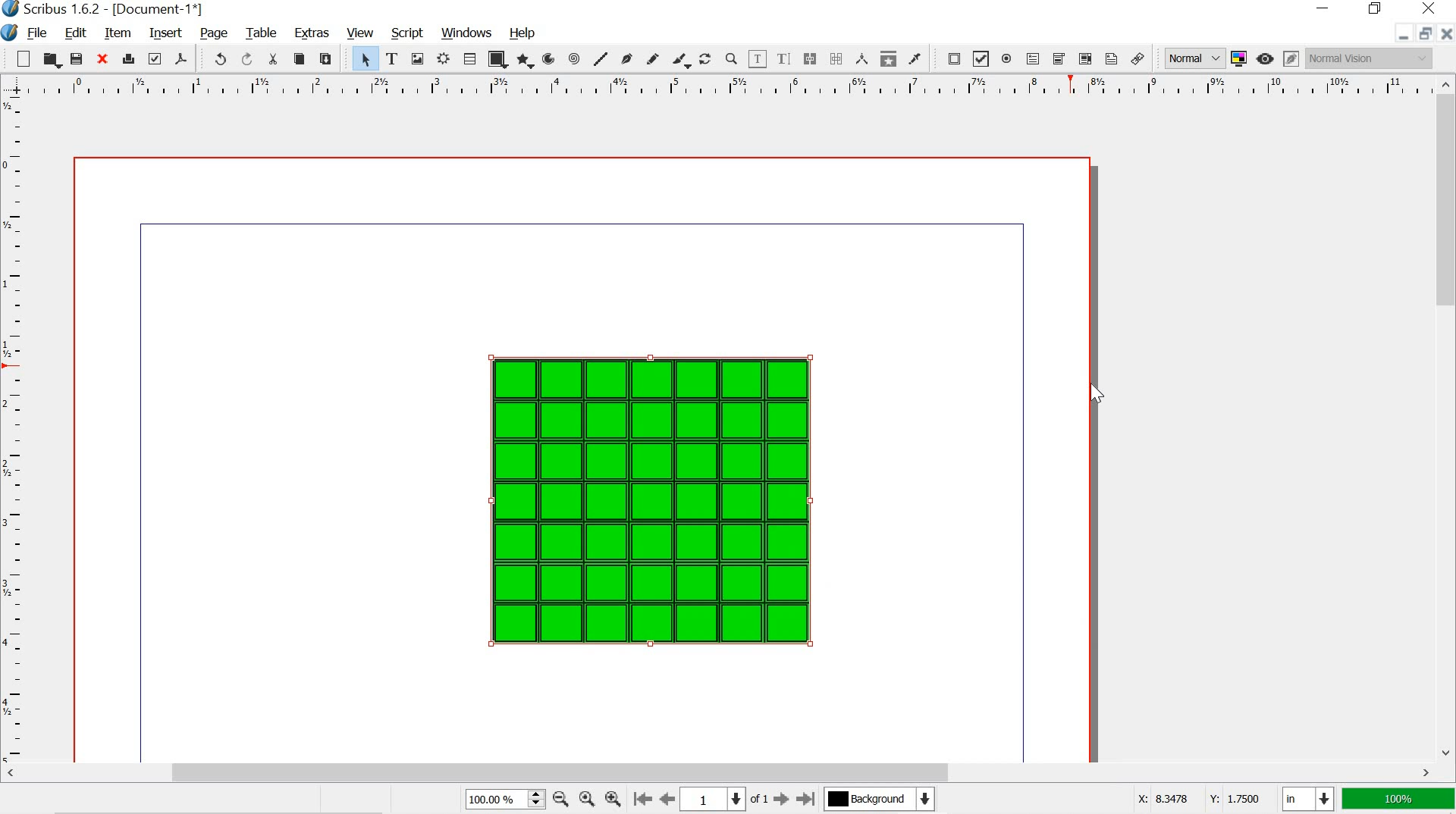 This screenshot has height=814, width=1456. Describe the element at coordinates (982, 58) in the screenshot. I see `pdf check box` at that location.